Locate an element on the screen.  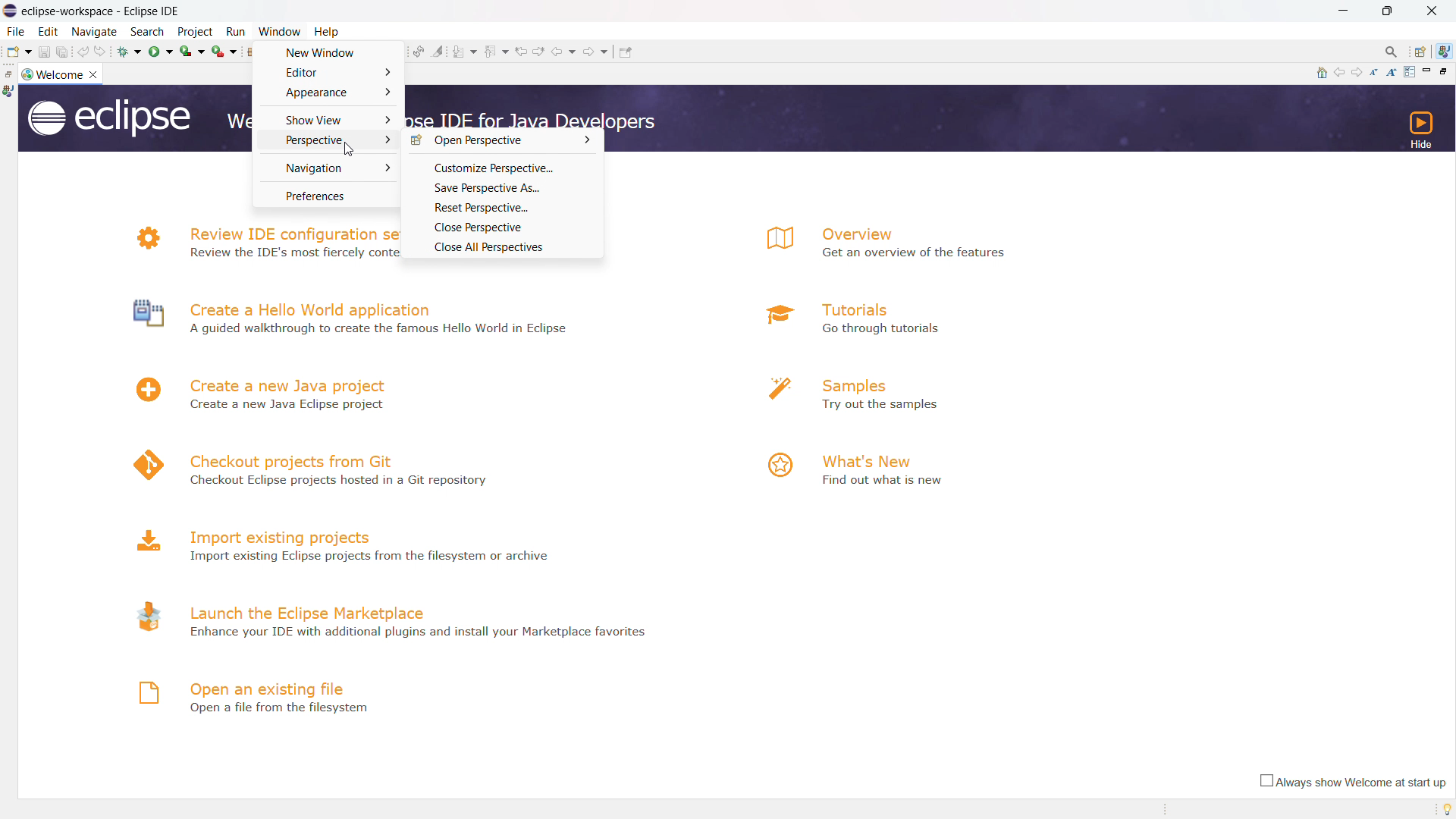
forward is located at coordinates (595, 51).